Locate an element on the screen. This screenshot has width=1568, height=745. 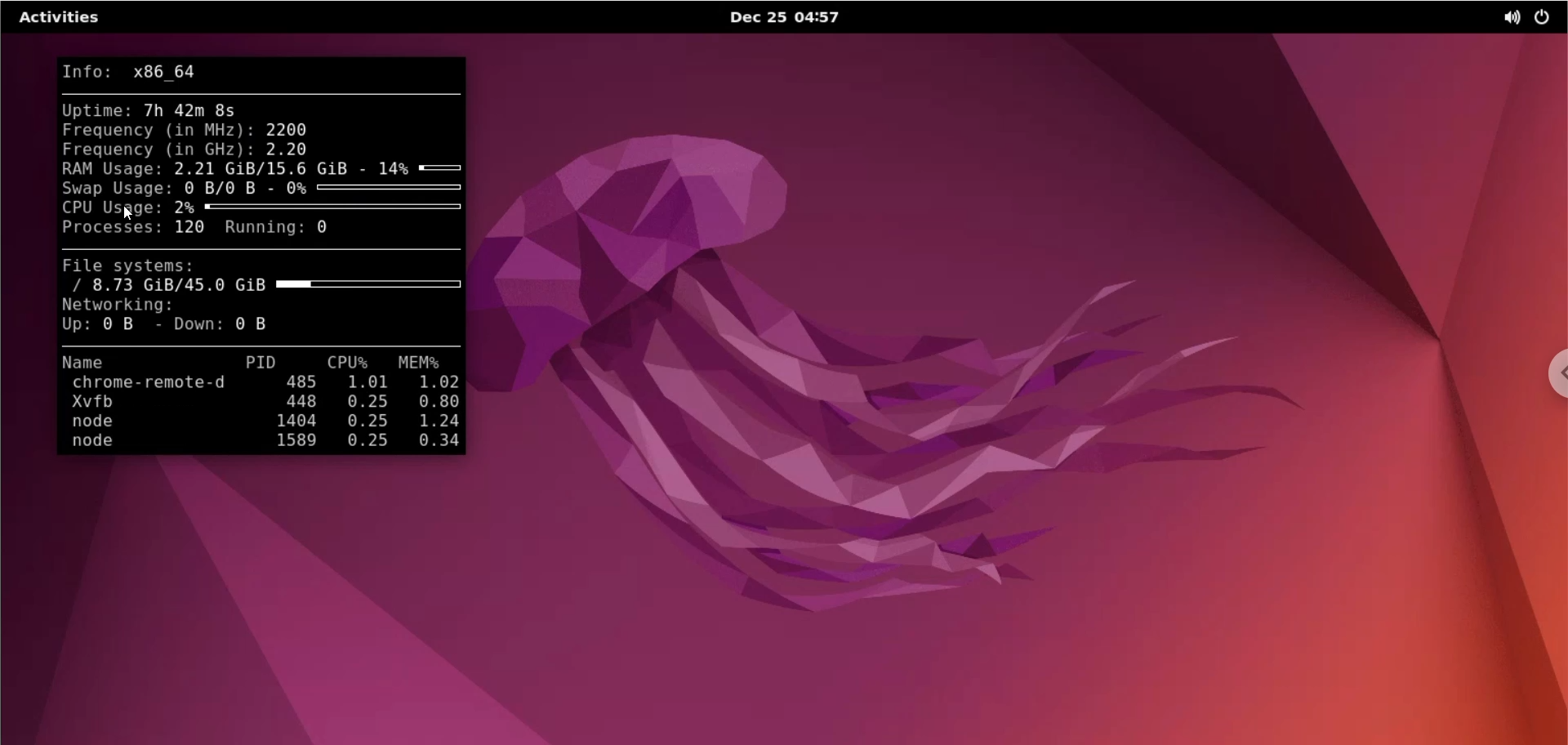
0 is located at coordinates (321, 230).